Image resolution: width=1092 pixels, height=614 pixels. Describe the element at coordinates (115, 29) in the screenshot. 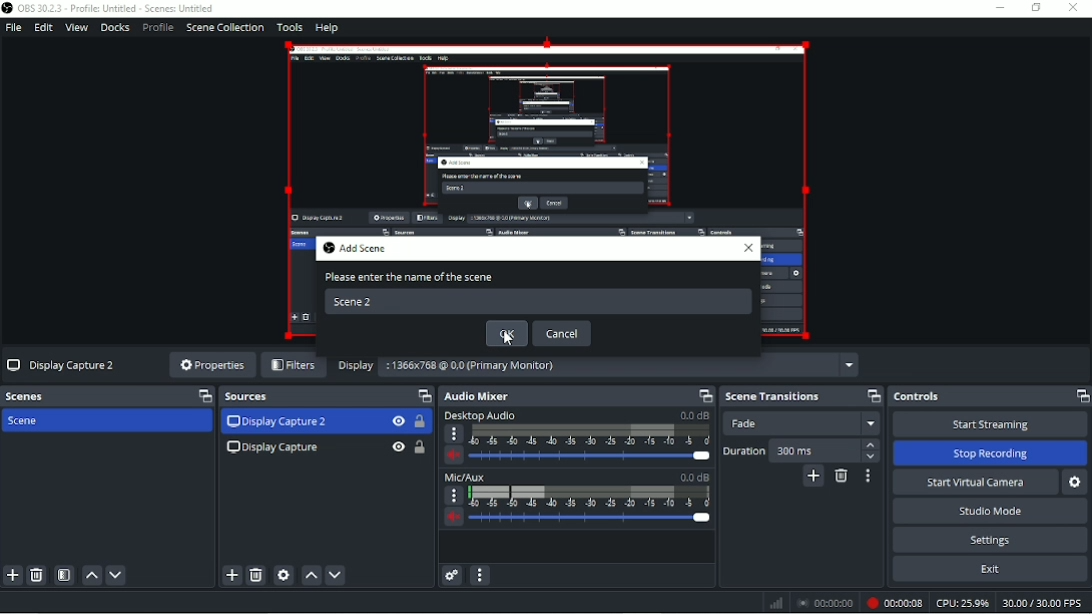

I see `Docks` at that location.